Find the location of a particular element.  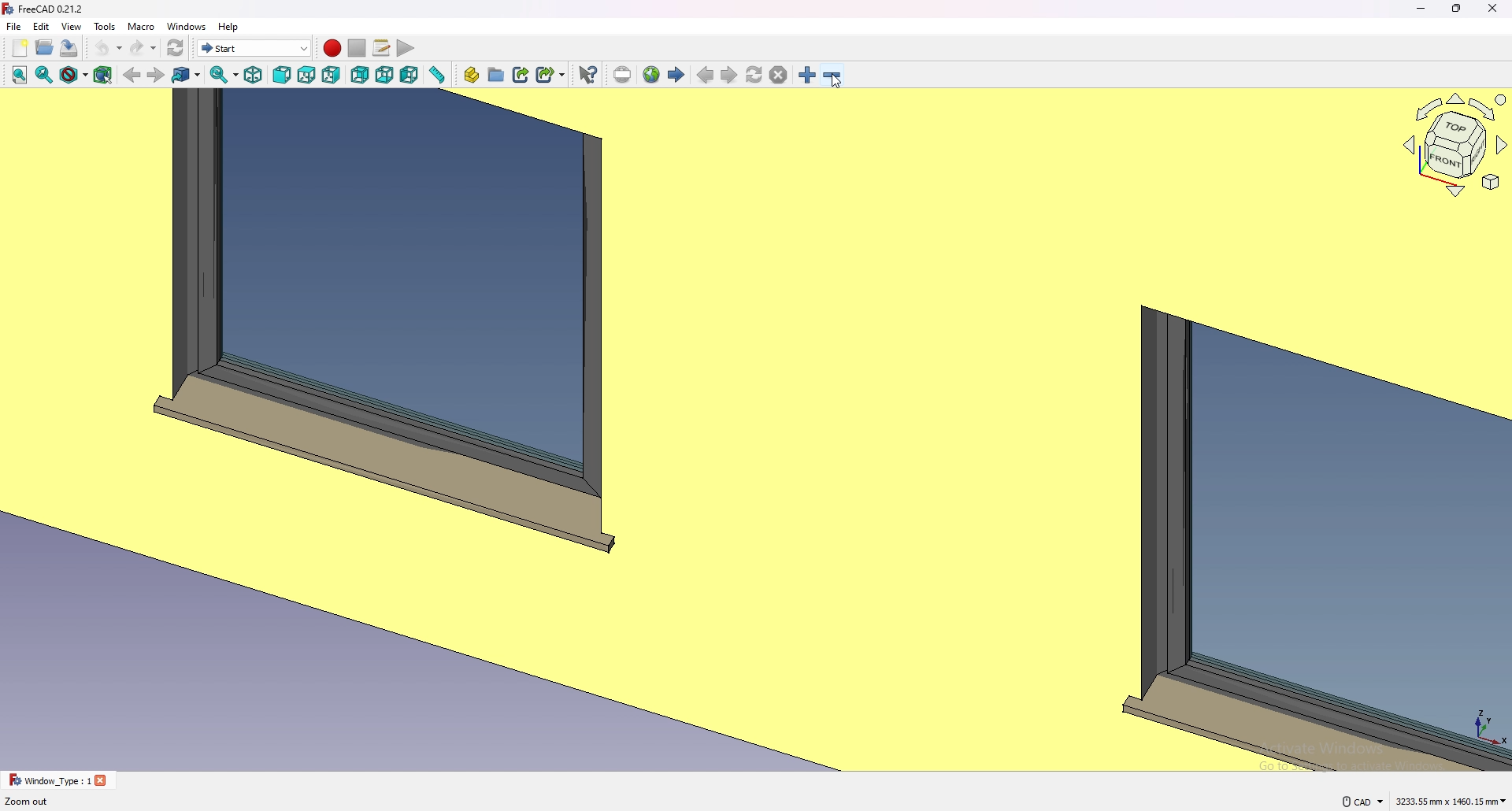

forward is located at coordinates (156, 75).